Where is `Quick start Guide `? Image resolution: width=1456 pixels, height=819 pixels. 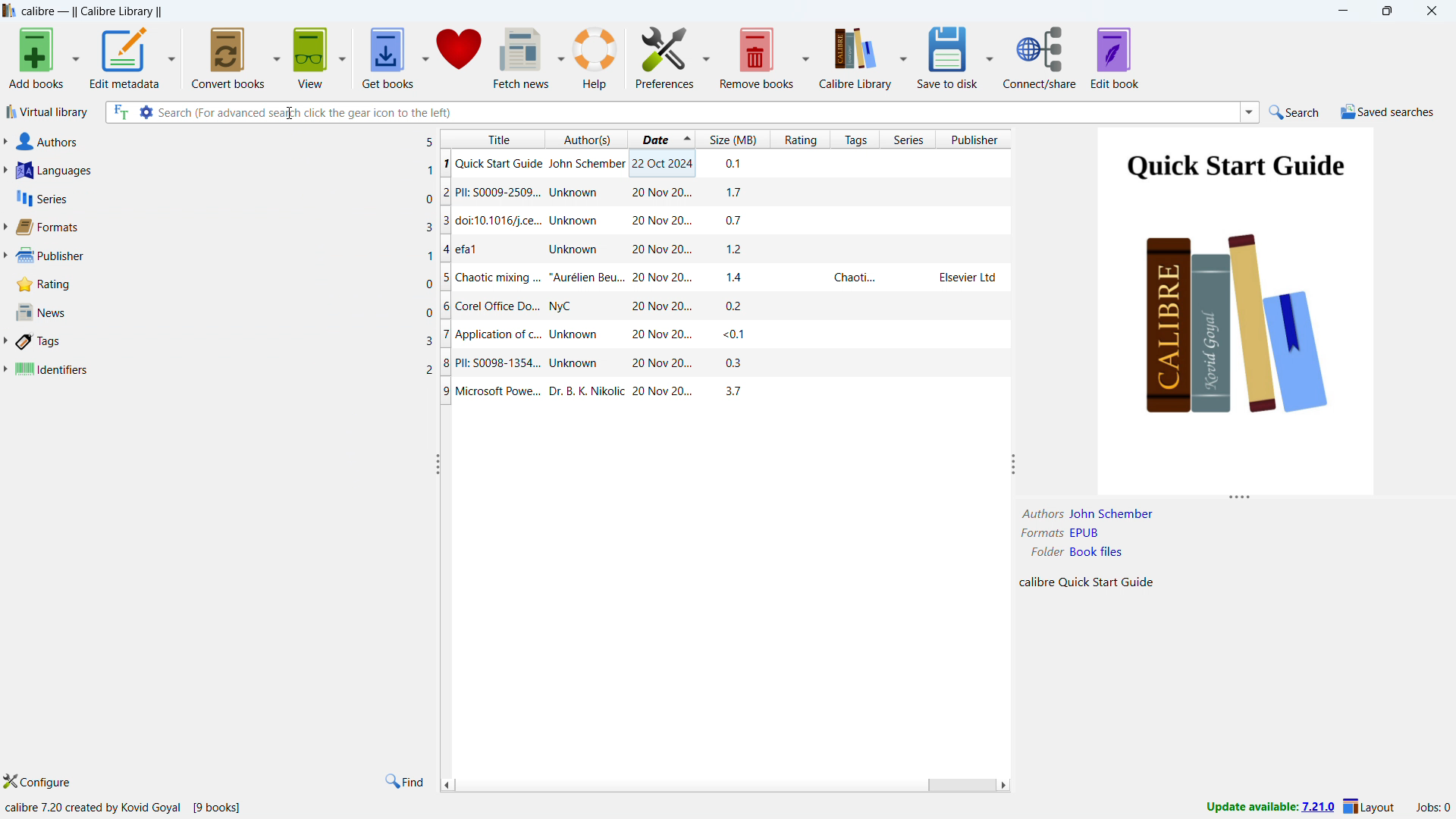
Quick start Guide  is located at coordinates (726, 164).